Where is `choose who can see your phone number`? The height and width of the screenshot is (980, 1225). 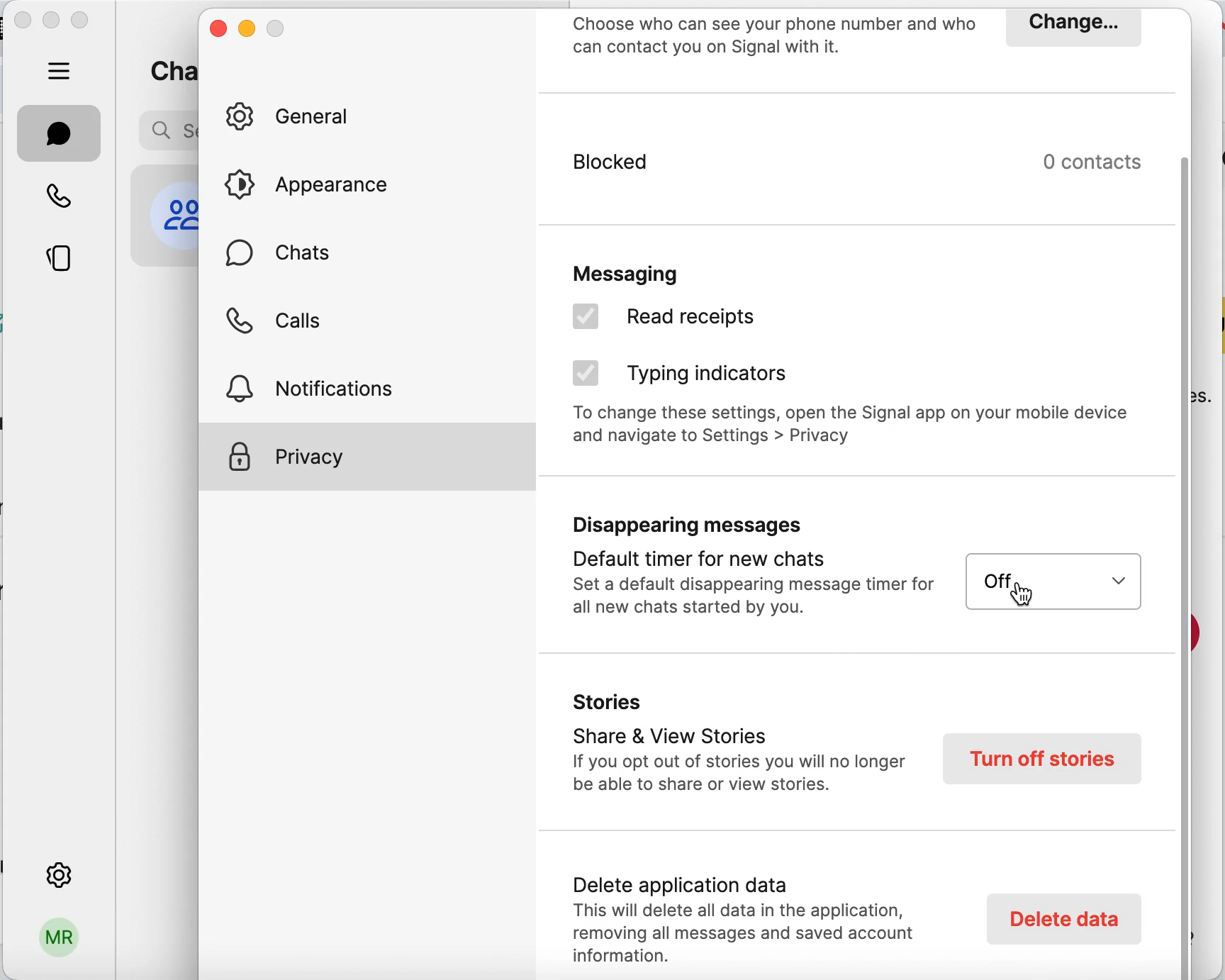
choose who can see your phone number is located at coordinates (775, 38).